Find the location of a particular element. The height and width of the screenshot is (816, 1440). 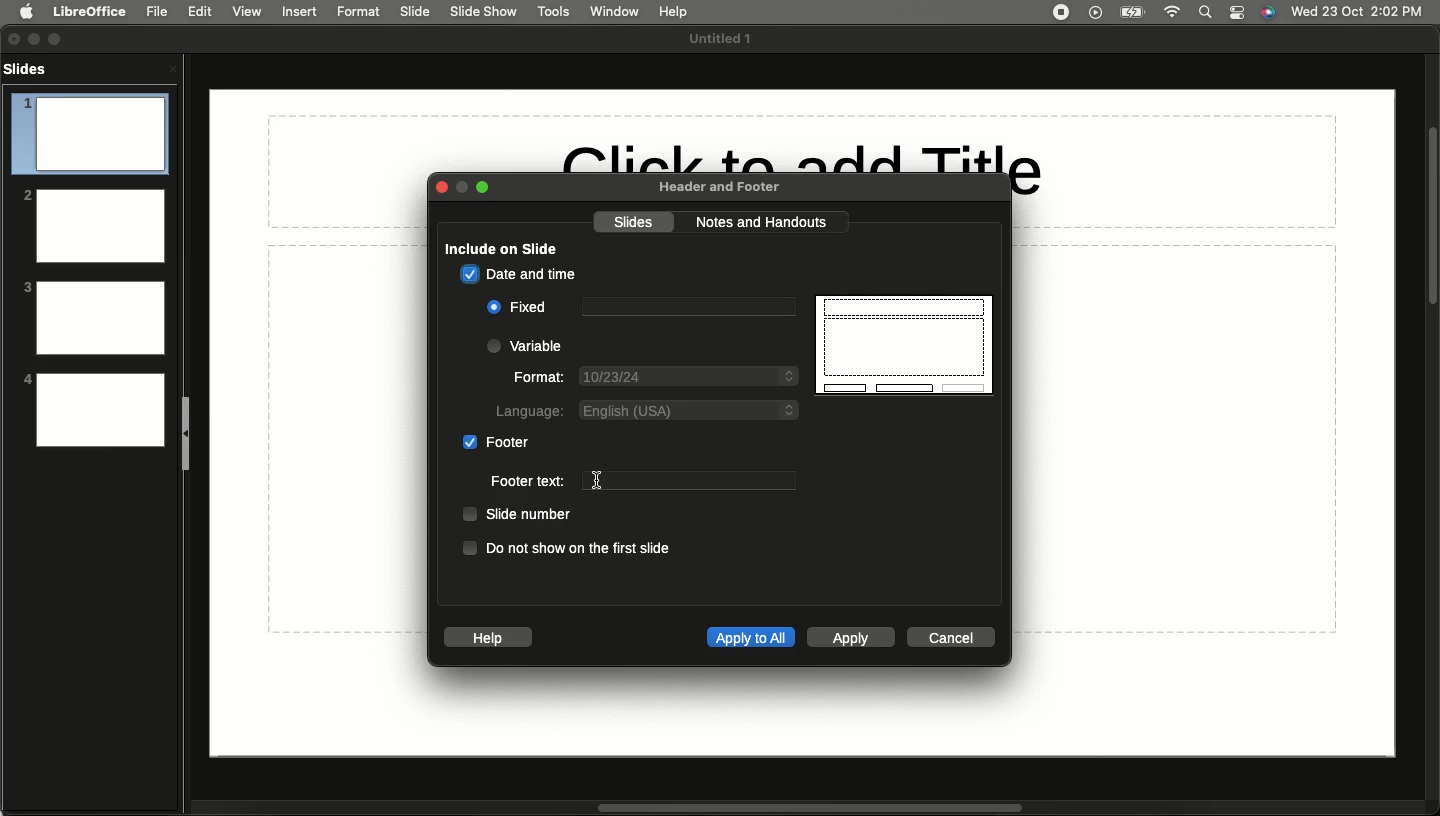

Slide show is located at coordinates (486, 12).